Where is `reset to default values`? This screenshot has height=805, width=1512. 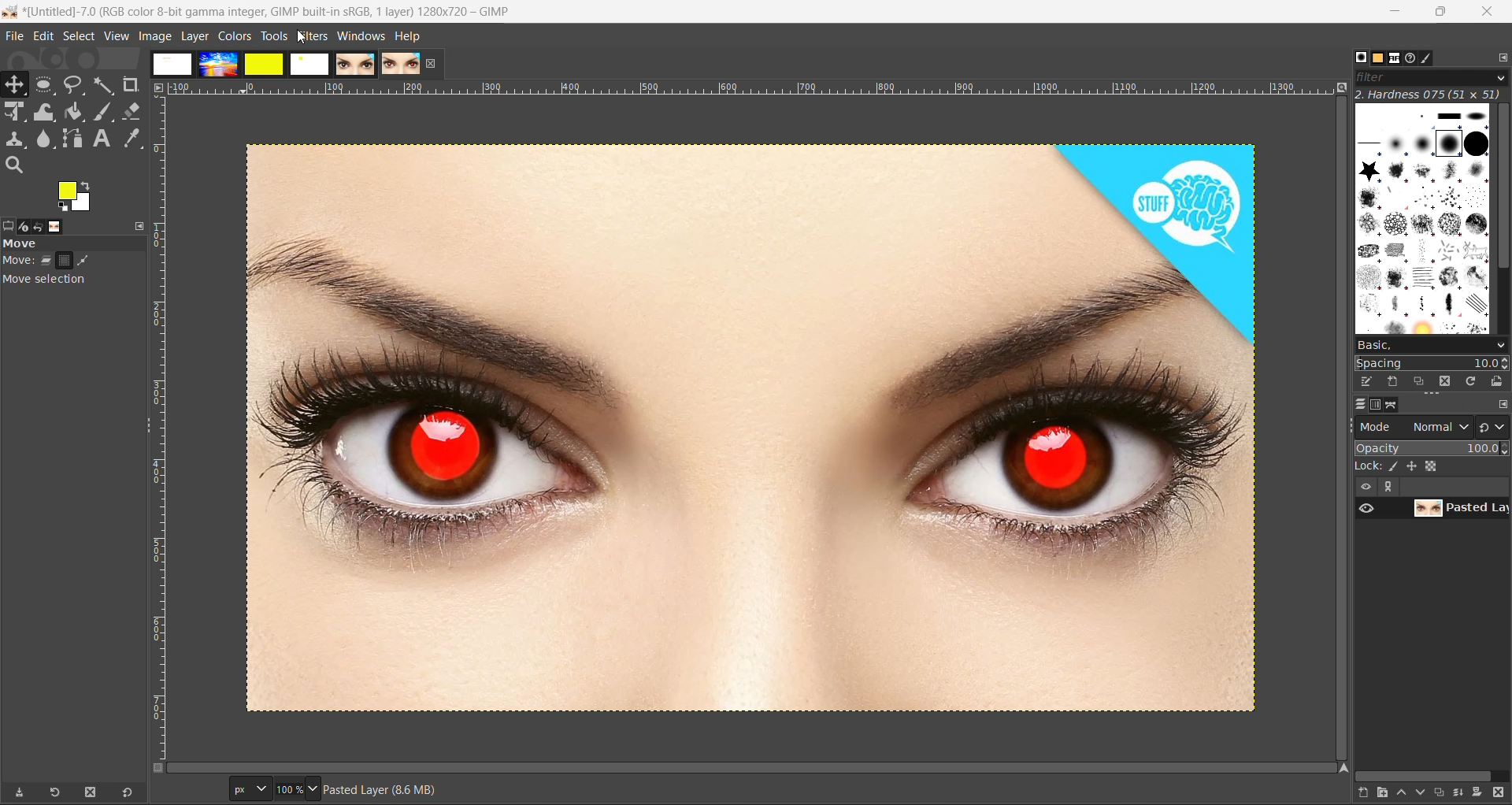
reset to default values is located at coordinates (131, 793).